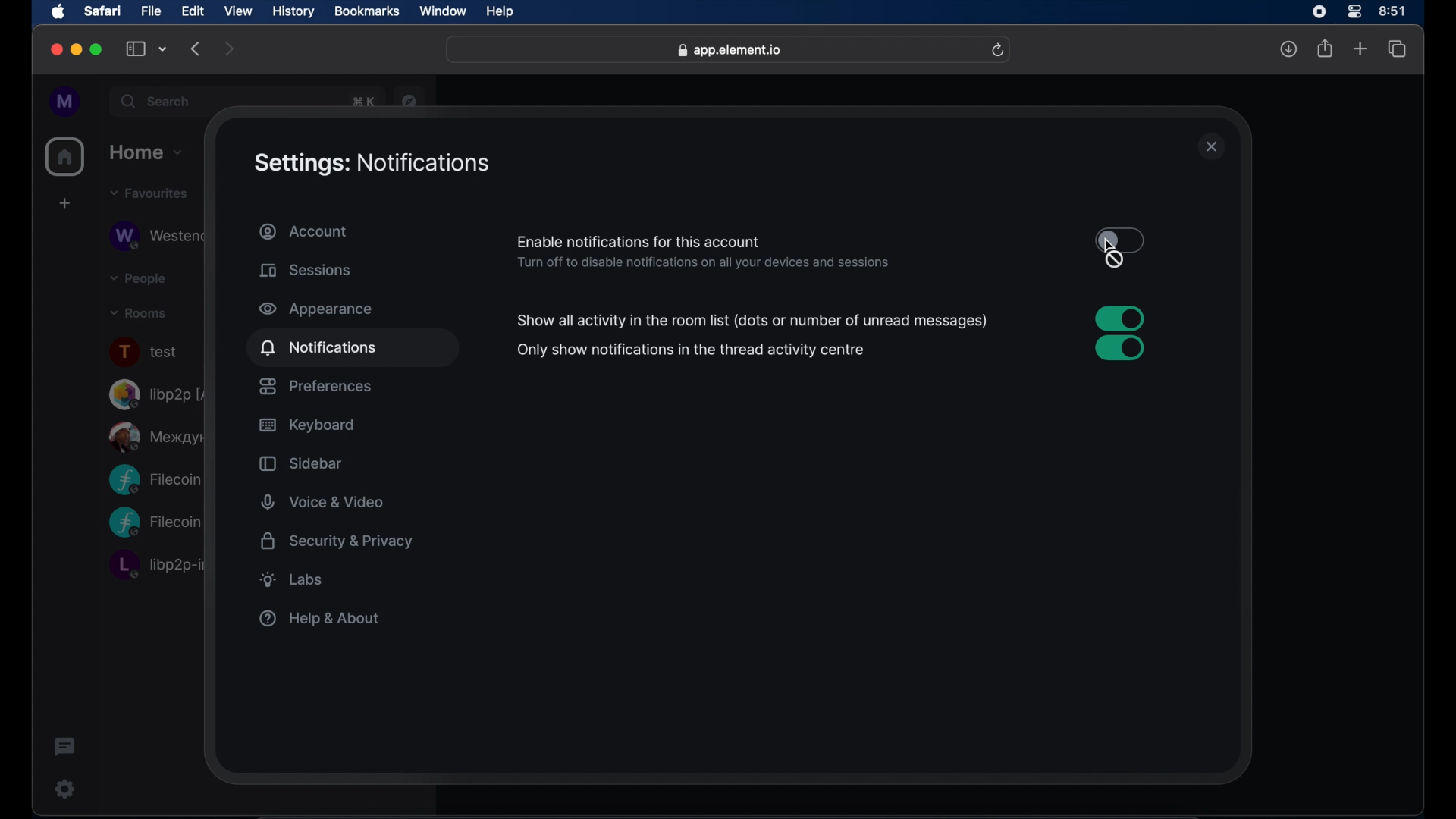 The height and width of the screenshot is (819, 1456). I want to click on show sidebar, so click(136, 49).